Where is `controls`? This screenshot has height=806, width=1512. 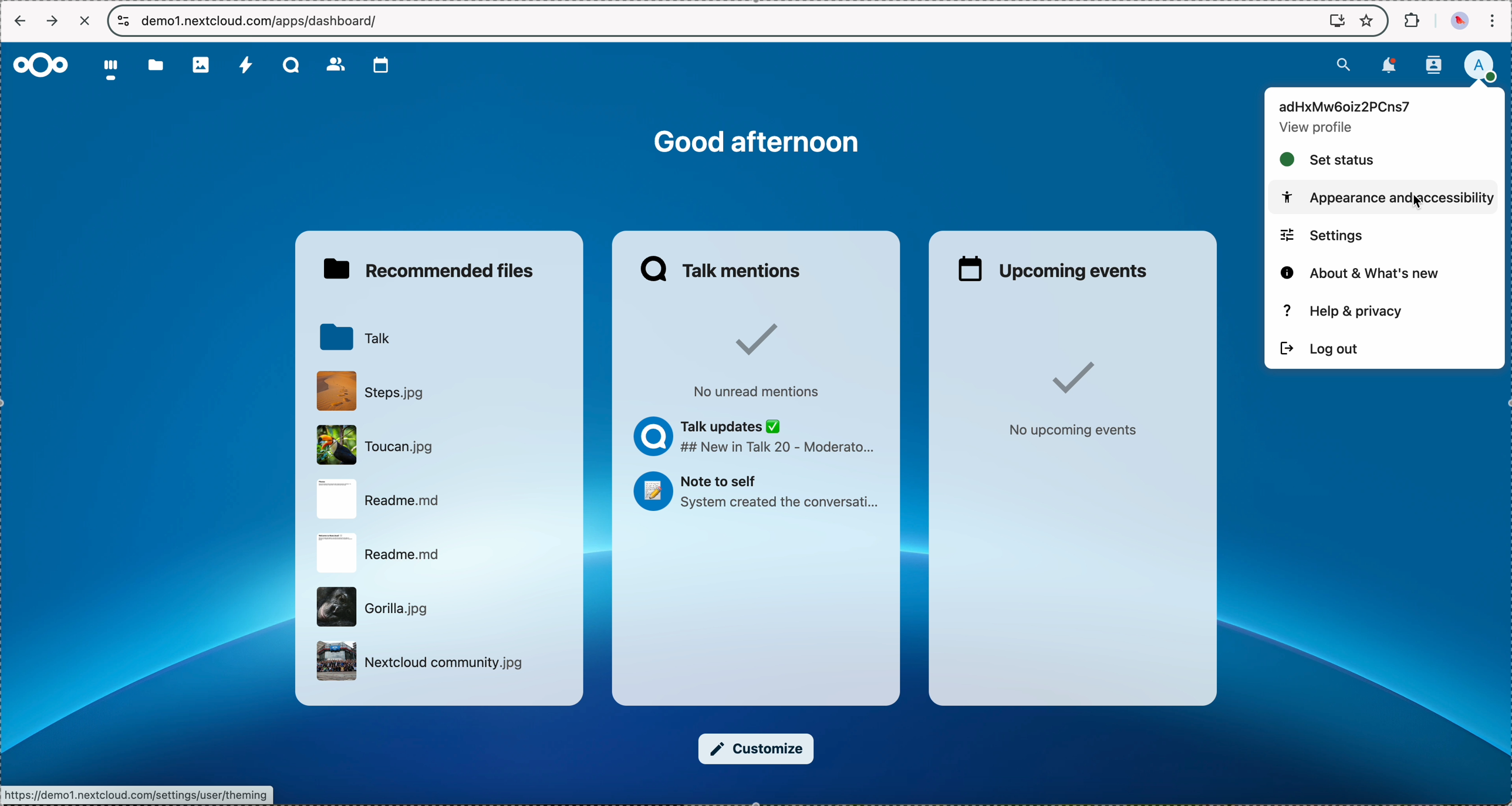
controls is located at coordinates (121, 21).